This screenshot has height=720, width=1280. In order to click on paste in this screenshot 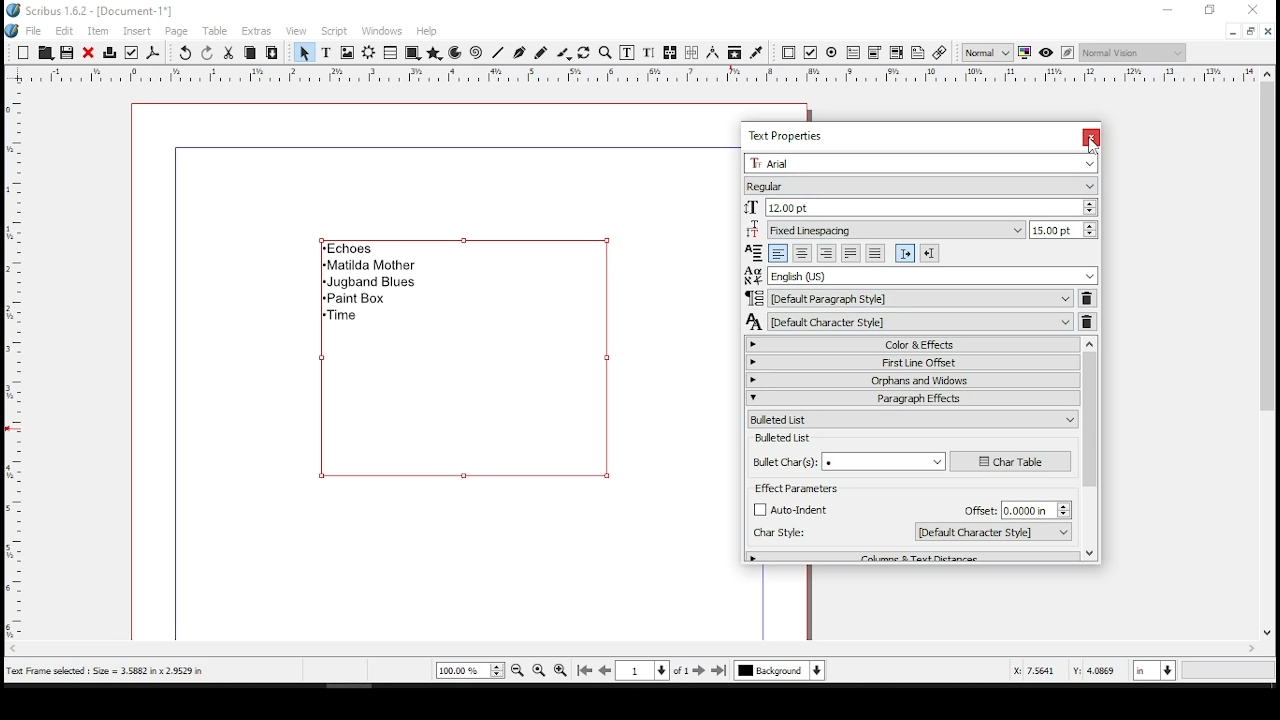, I will do `click(273, 53)`.